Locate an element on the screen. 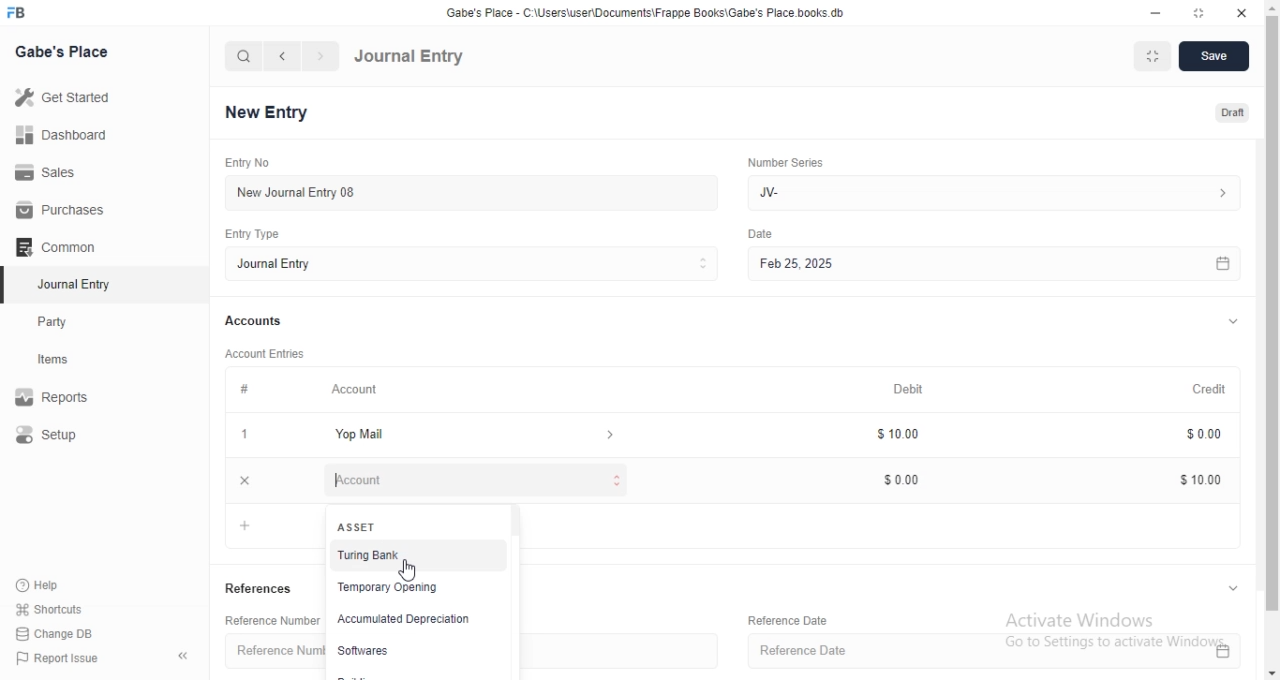 Image resolution: width=1280 pixels, height=680 pixels. + Add Row is located at coordinates (249, 526).